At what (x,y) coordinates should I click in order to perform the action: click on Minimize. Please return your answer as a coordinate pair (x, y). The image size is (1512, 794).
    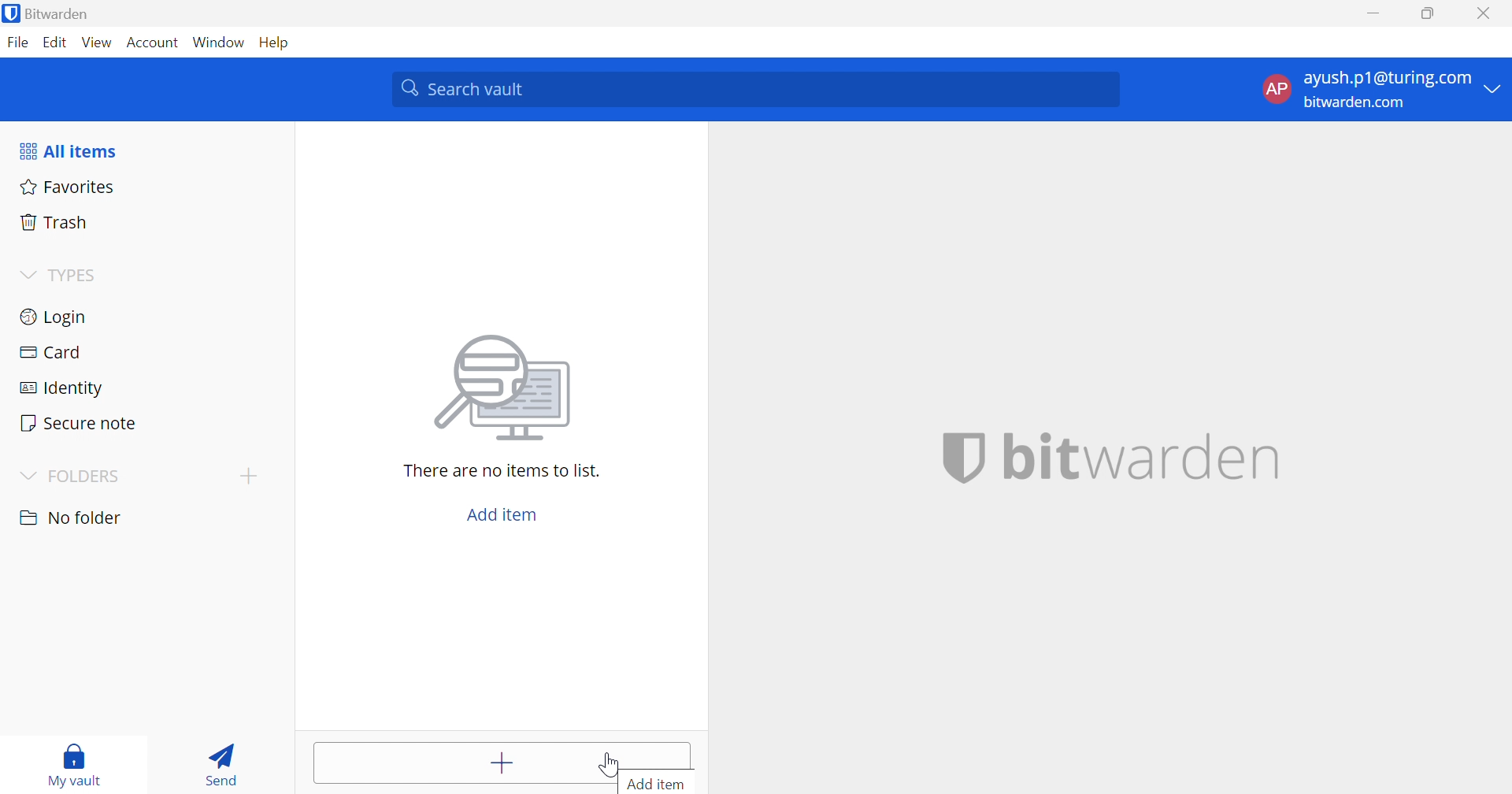
    Looking at the image, I should click on (1373, 14).